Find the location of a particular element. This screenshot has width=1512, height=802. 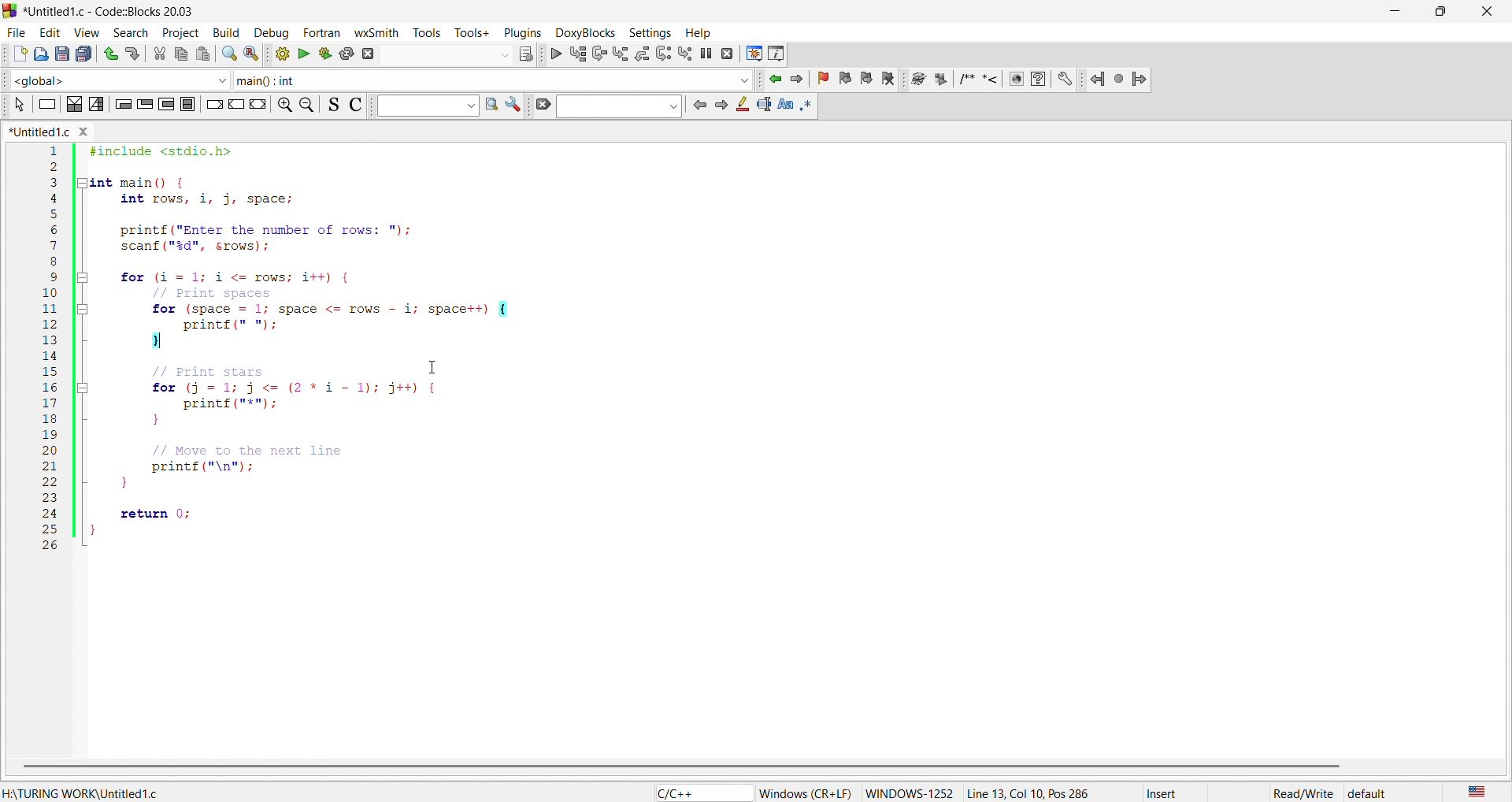

settings is located at coordinates (1065, 80).